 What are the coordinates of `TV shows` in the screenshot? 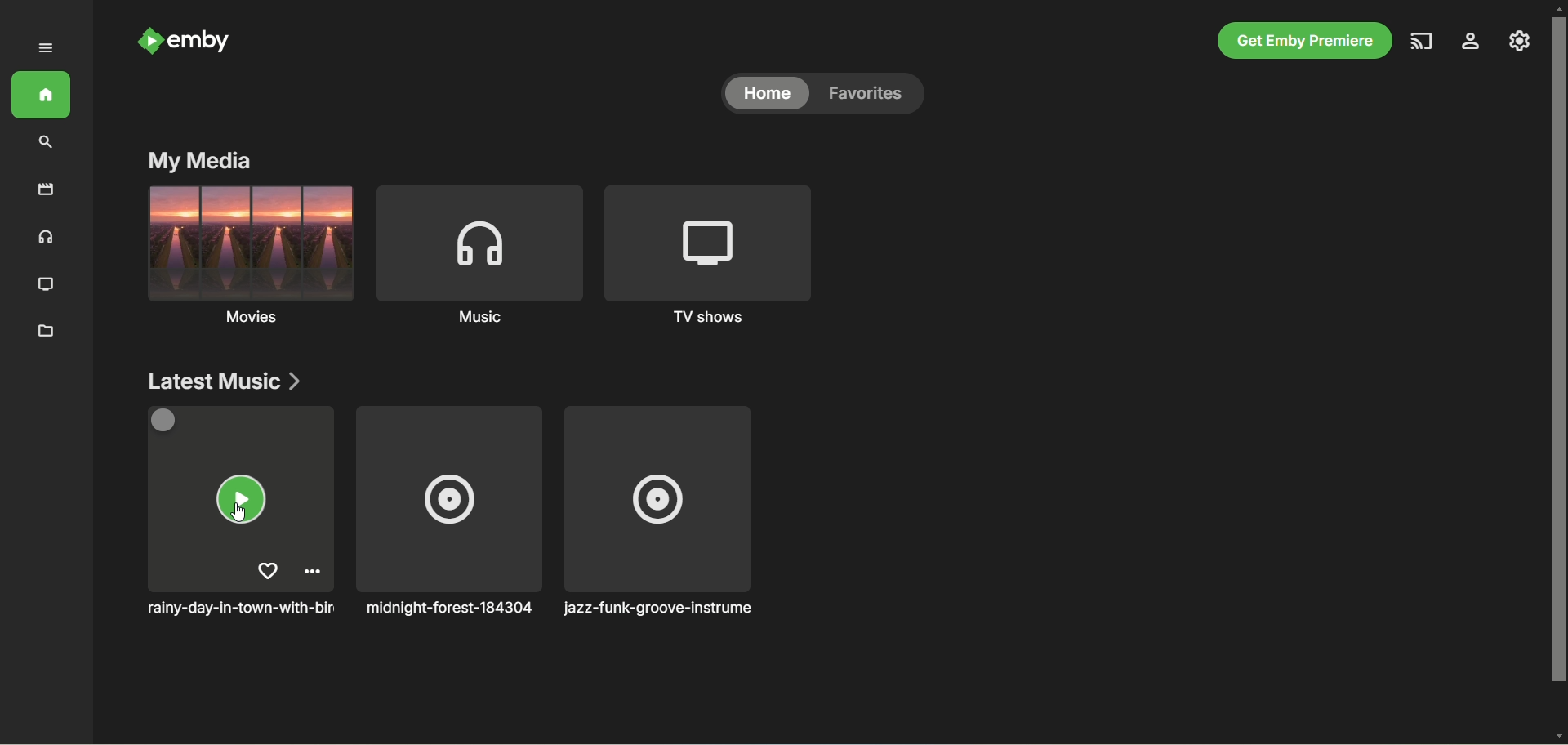 It's located at (50, 286).